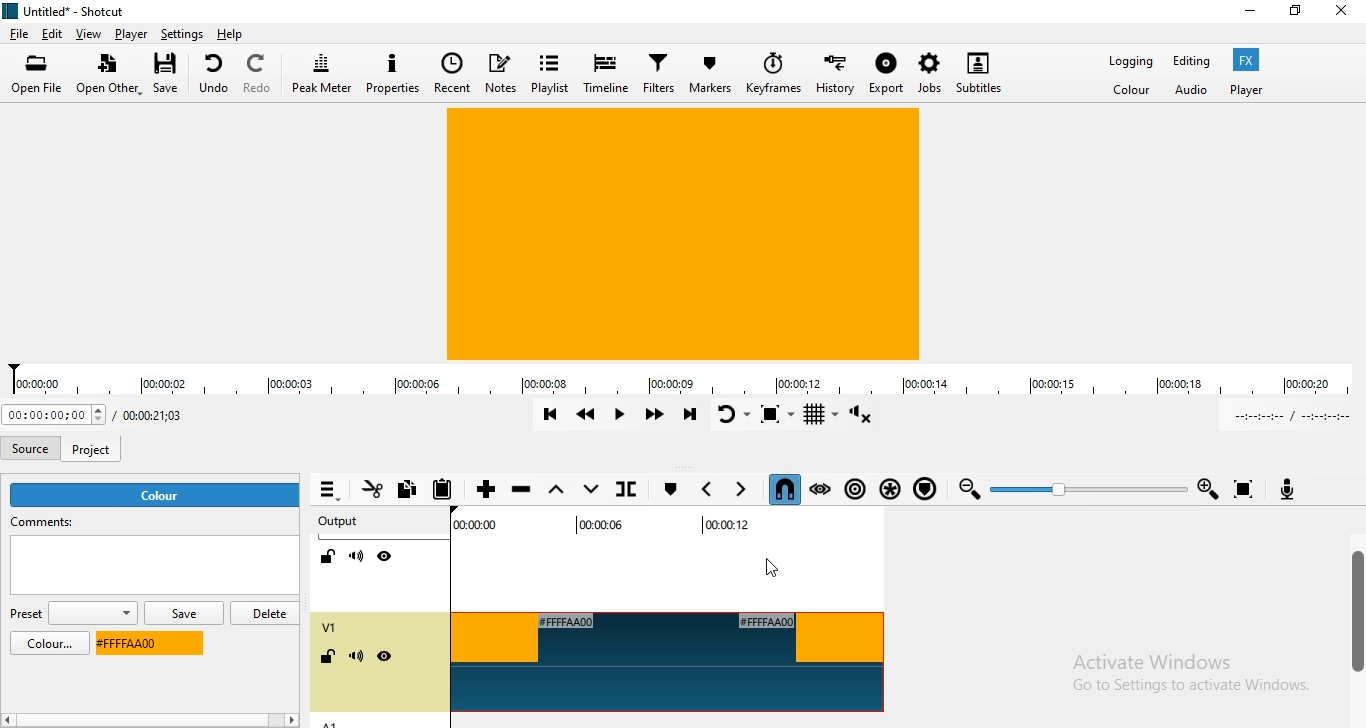 This screenshot has height=728, width=1366. I want to click on , so click(1195, 673).